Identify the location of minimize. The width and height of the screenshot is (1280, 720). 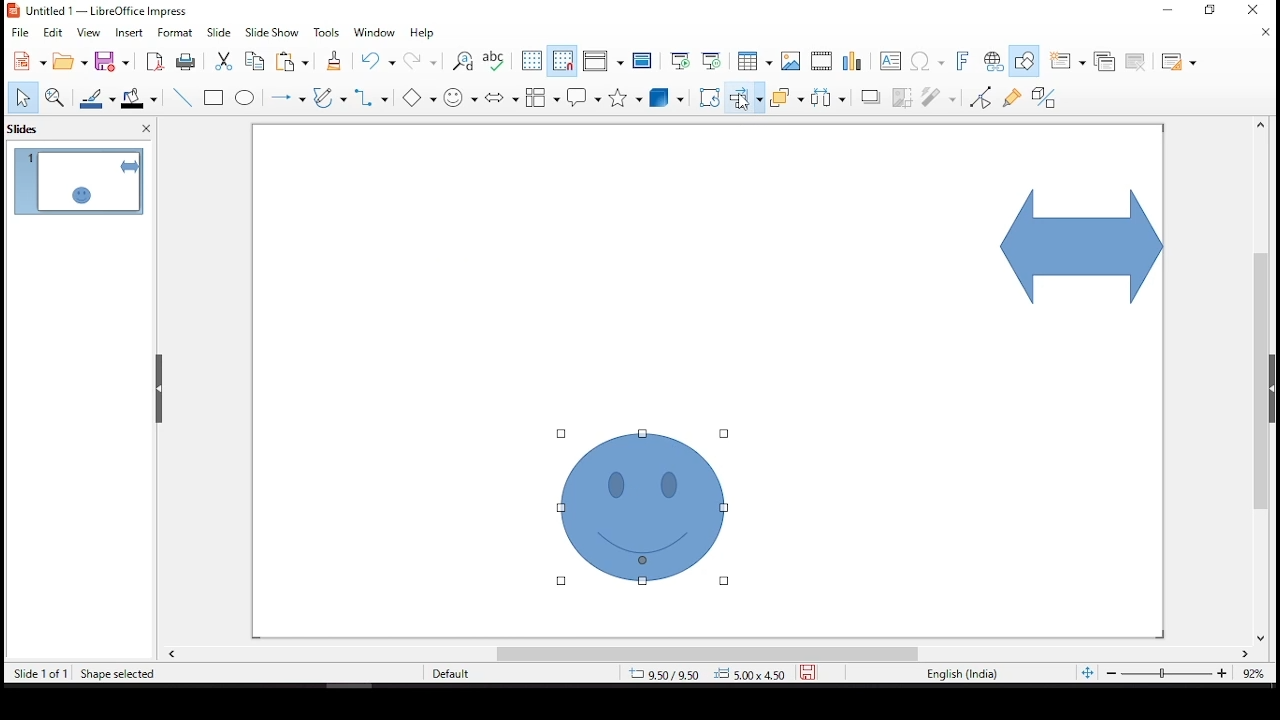
(1212, 11).